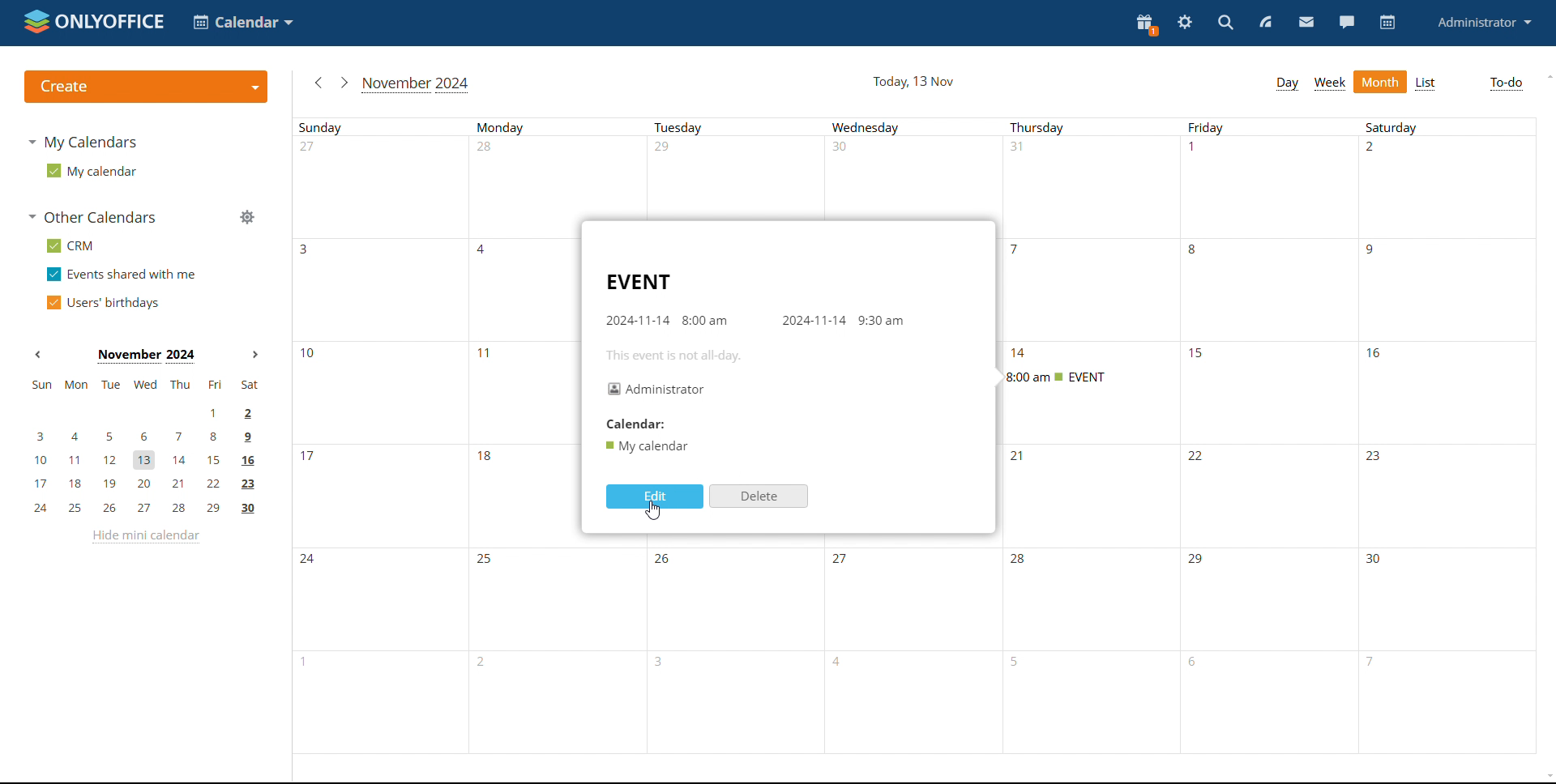 Image resolution: width=1556 pixels, height=784 pixels. Describe the element at coordinates (144, 537) in the screenshot. I see `hide mini calendar` at that location.